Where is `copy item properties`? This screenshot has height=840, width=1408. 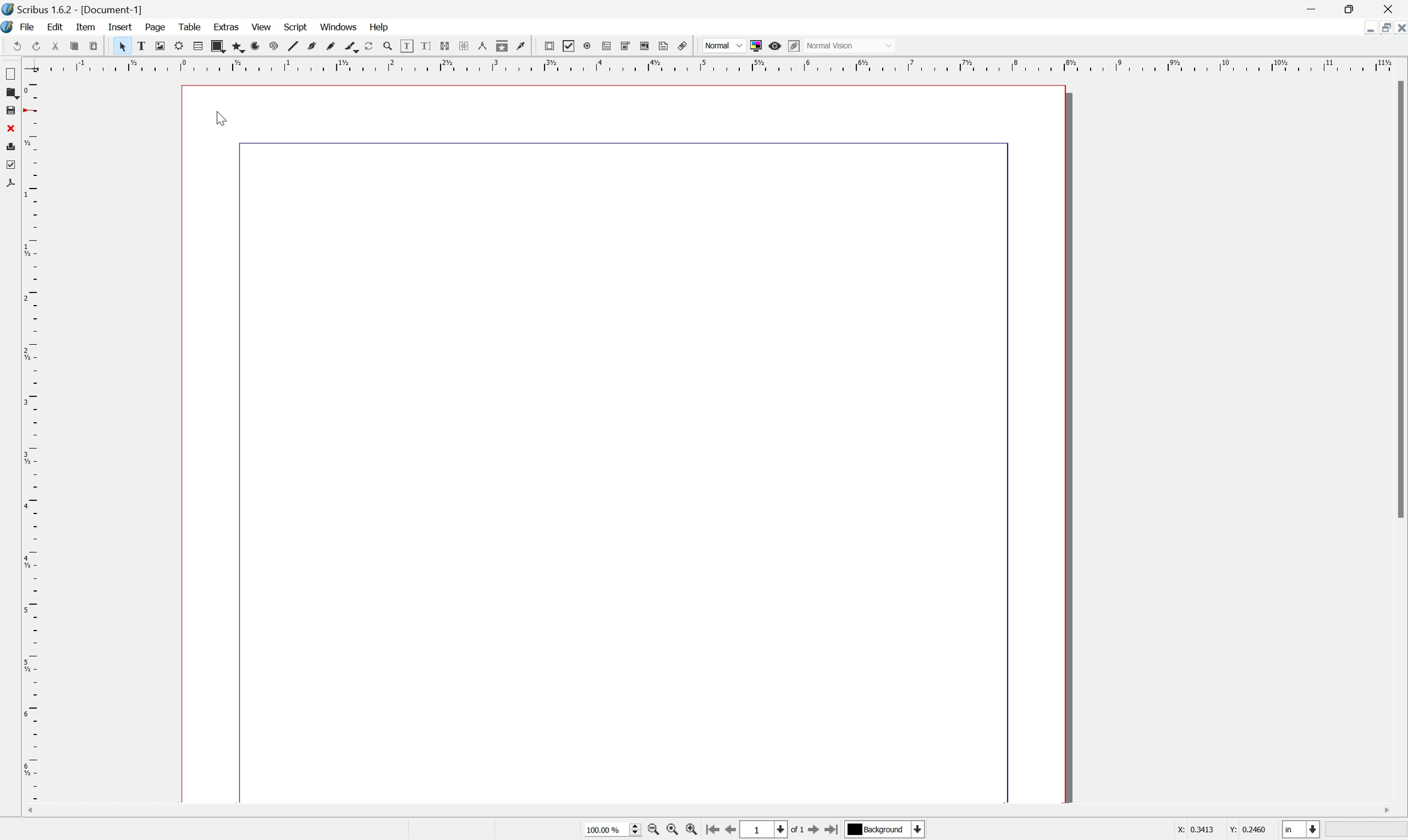
copy item properties is located at coordinates (645, 46).